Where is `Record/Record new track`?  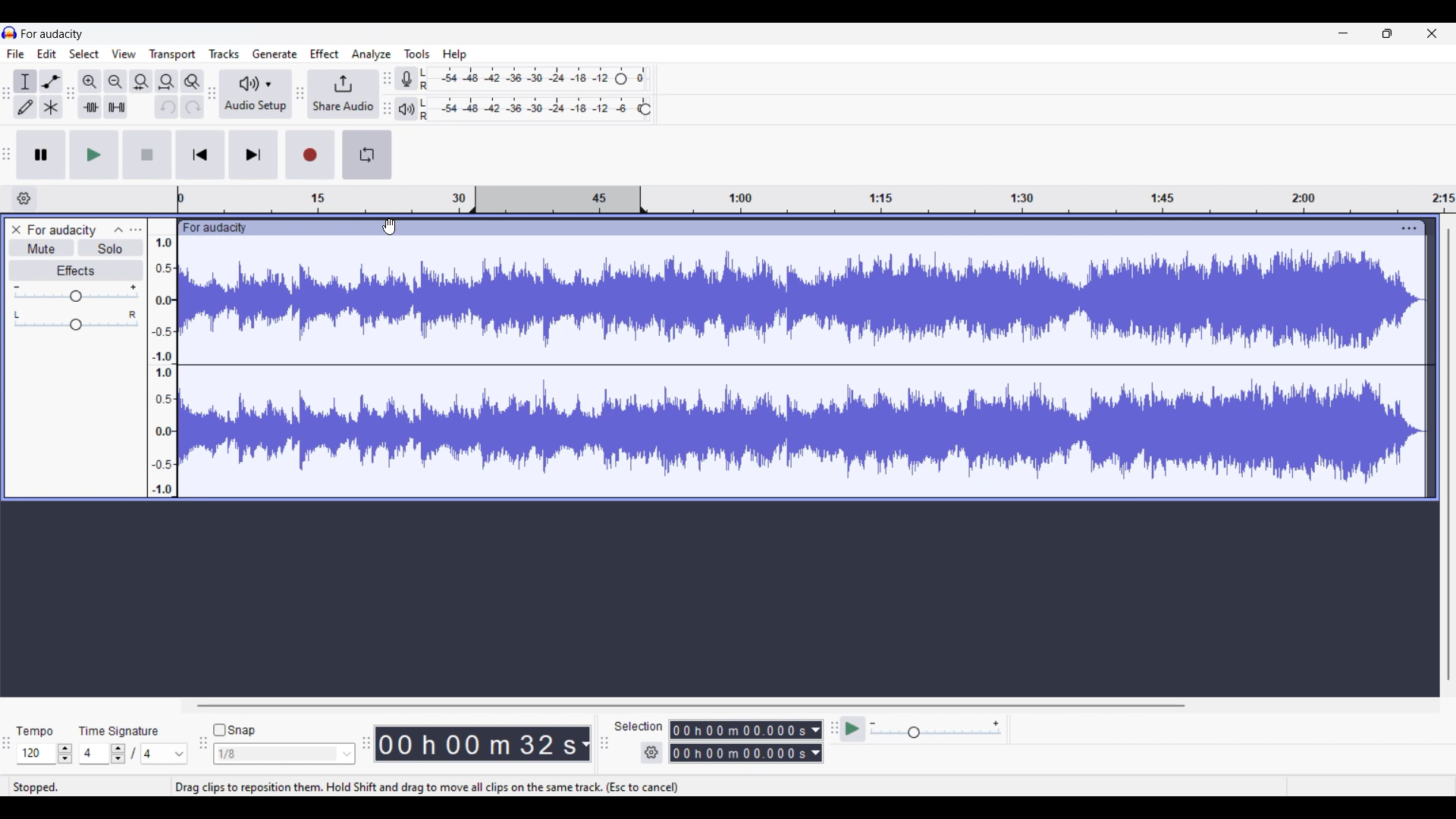
Record/Record new track is located at coordinates (310, 154).